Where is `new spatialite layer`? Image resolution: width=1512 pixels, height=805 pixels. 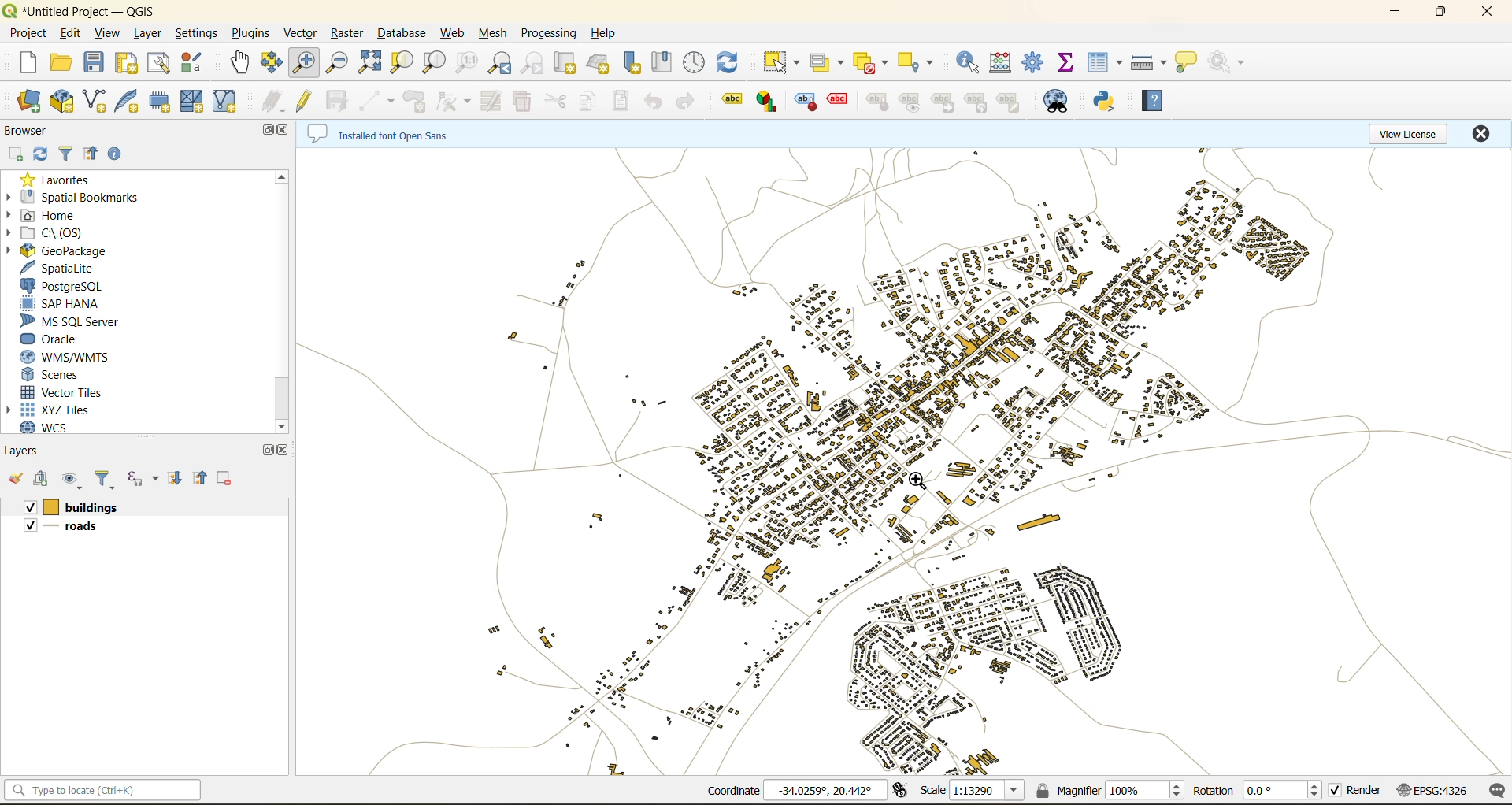
new spatialite layer is located at coordinates (132, 102).